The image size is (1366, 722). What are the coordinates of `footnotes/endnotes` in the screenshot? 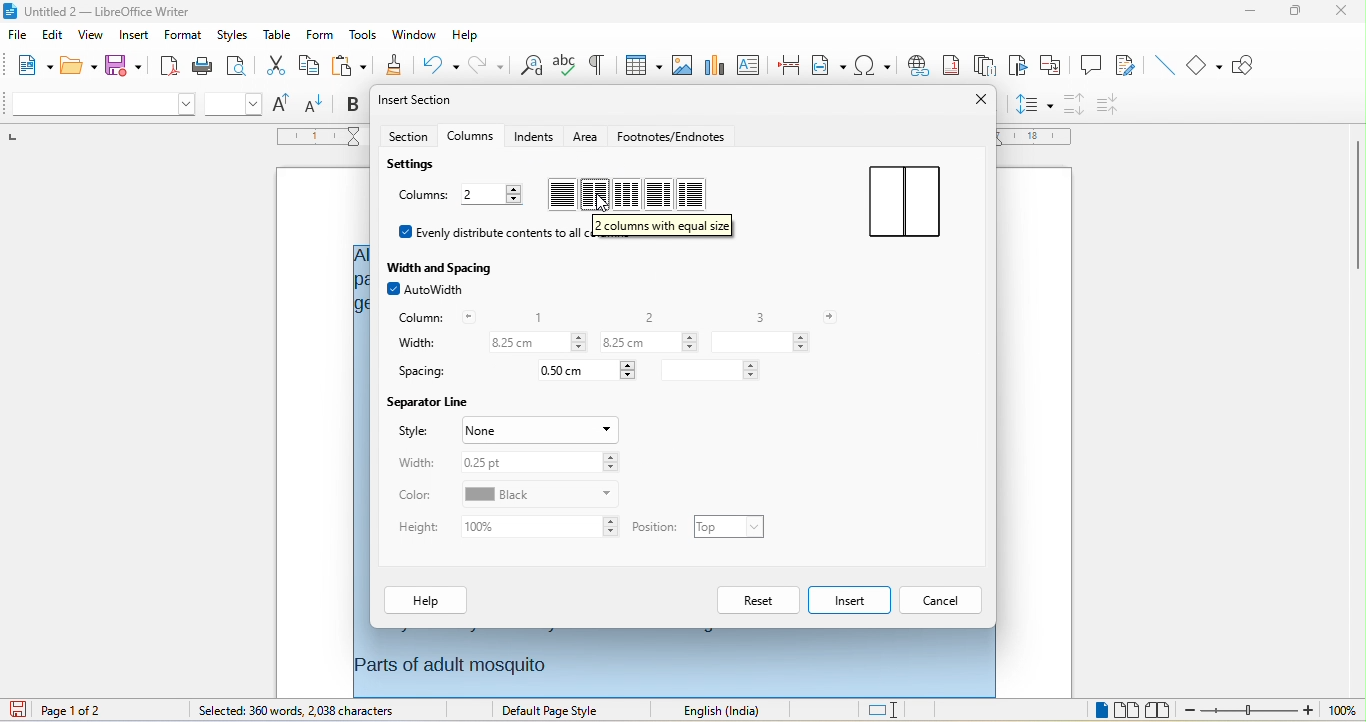 It's located at (673, 137).